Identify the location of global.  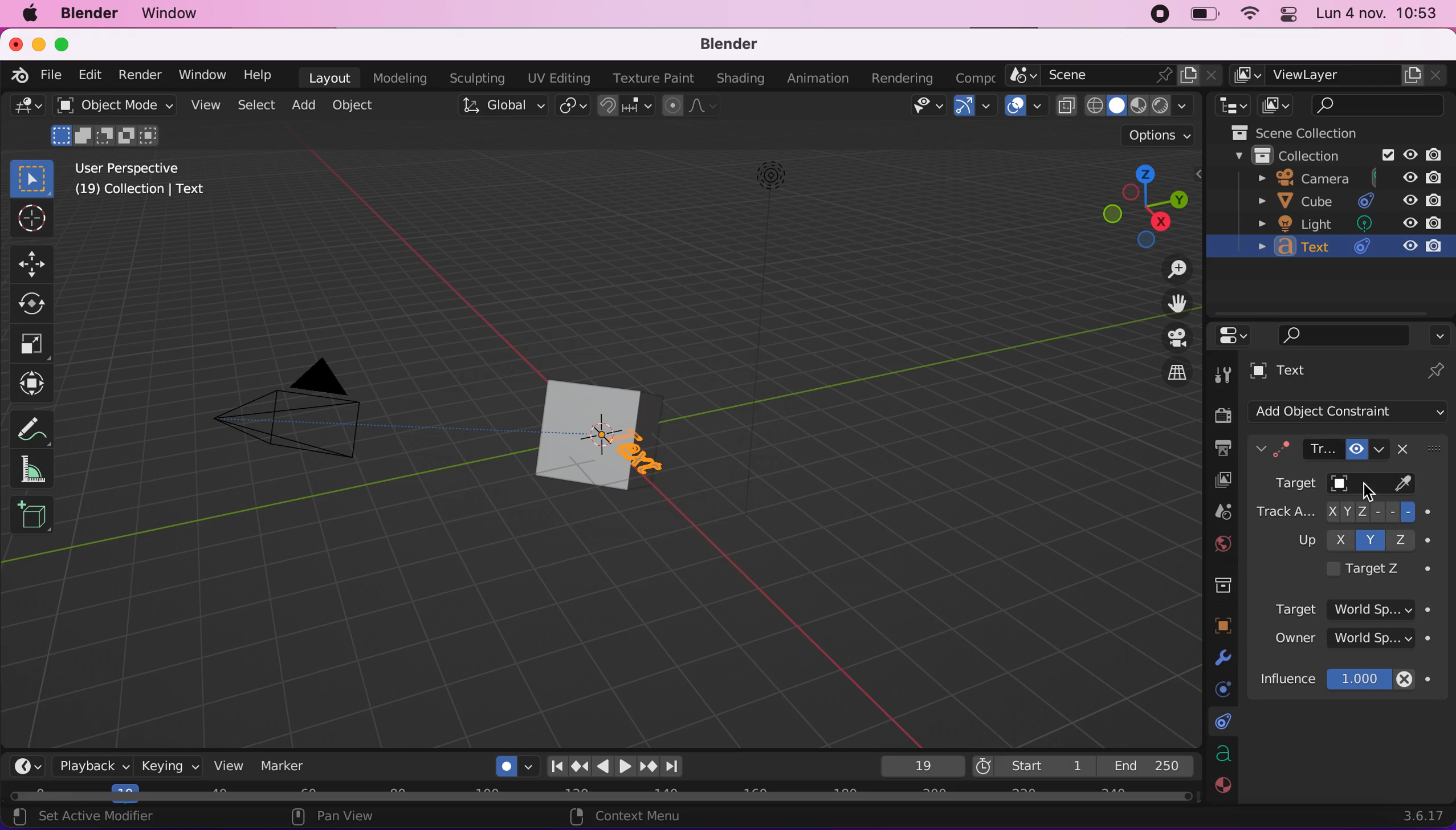
(501, 107).